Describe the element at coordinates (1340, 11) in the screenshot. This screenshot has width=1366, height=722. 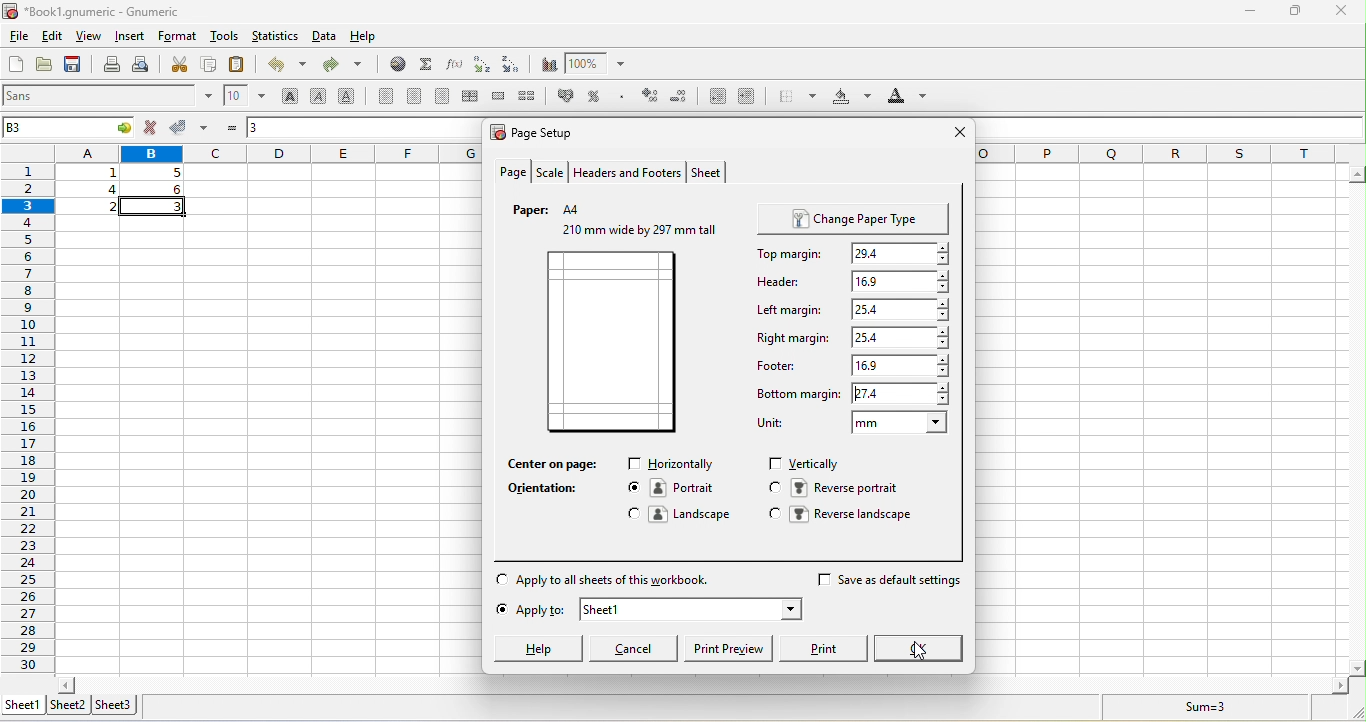
I see `close` at that location.